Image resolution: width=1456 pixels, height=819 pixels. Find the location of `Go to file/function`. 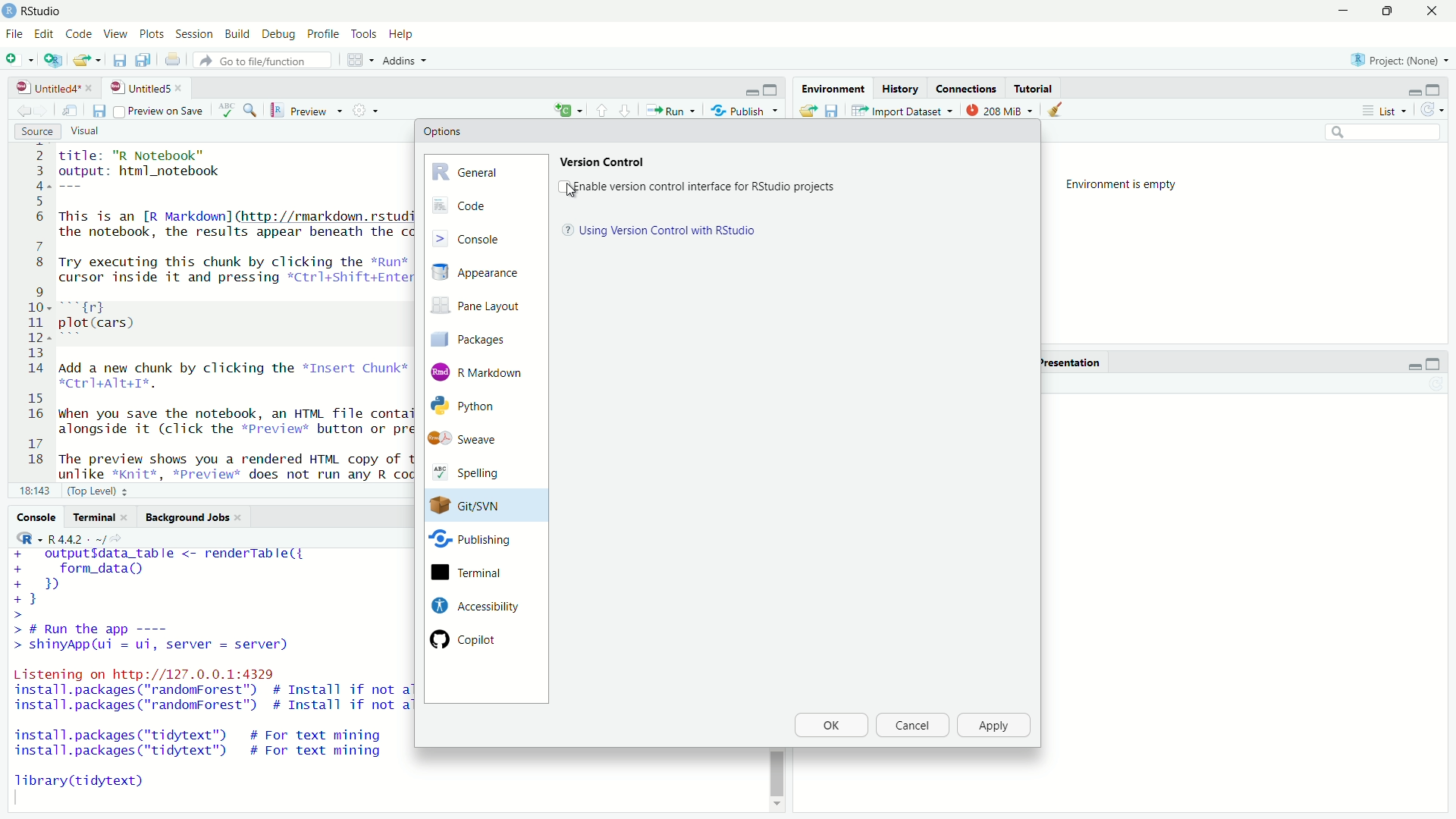

Go to file/function is located at coordinates (266, 61).